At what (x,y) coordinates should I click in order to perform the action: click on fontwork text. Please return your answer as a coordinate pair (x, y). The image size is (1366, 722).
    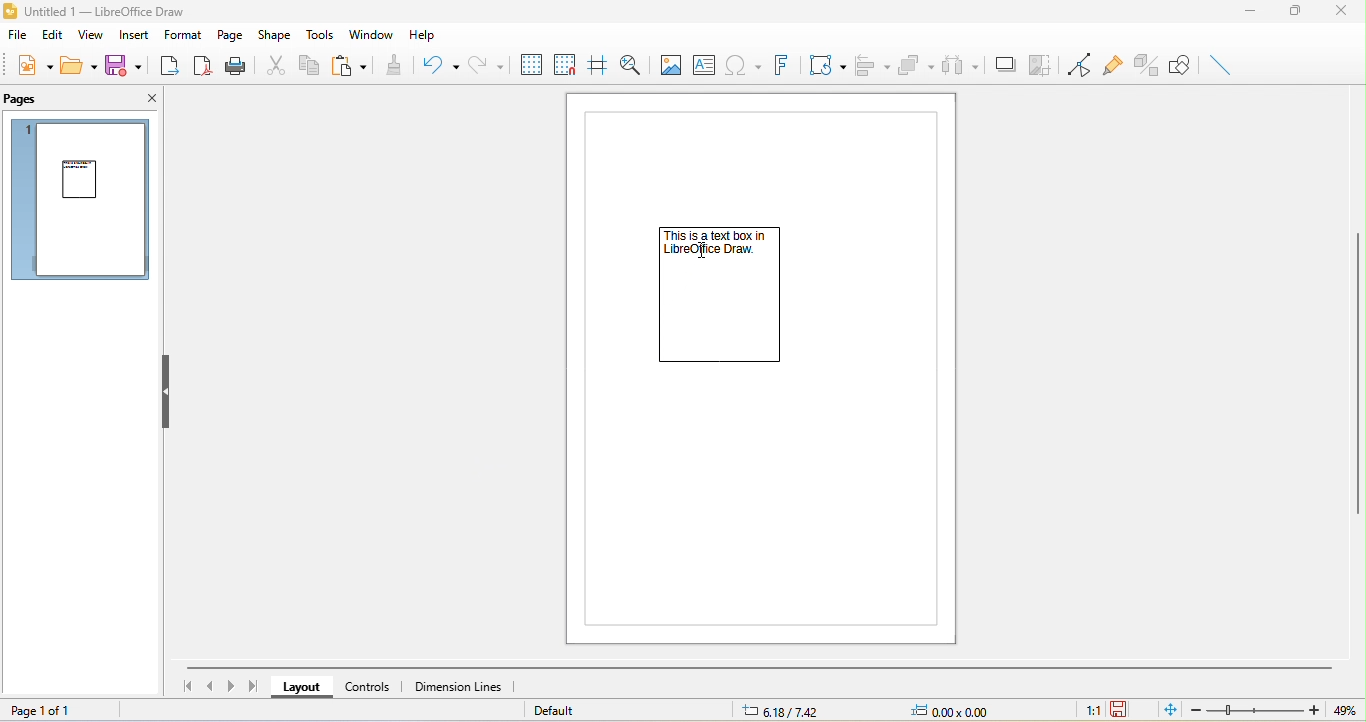
    Looking at the image, I should click on (780, 67).